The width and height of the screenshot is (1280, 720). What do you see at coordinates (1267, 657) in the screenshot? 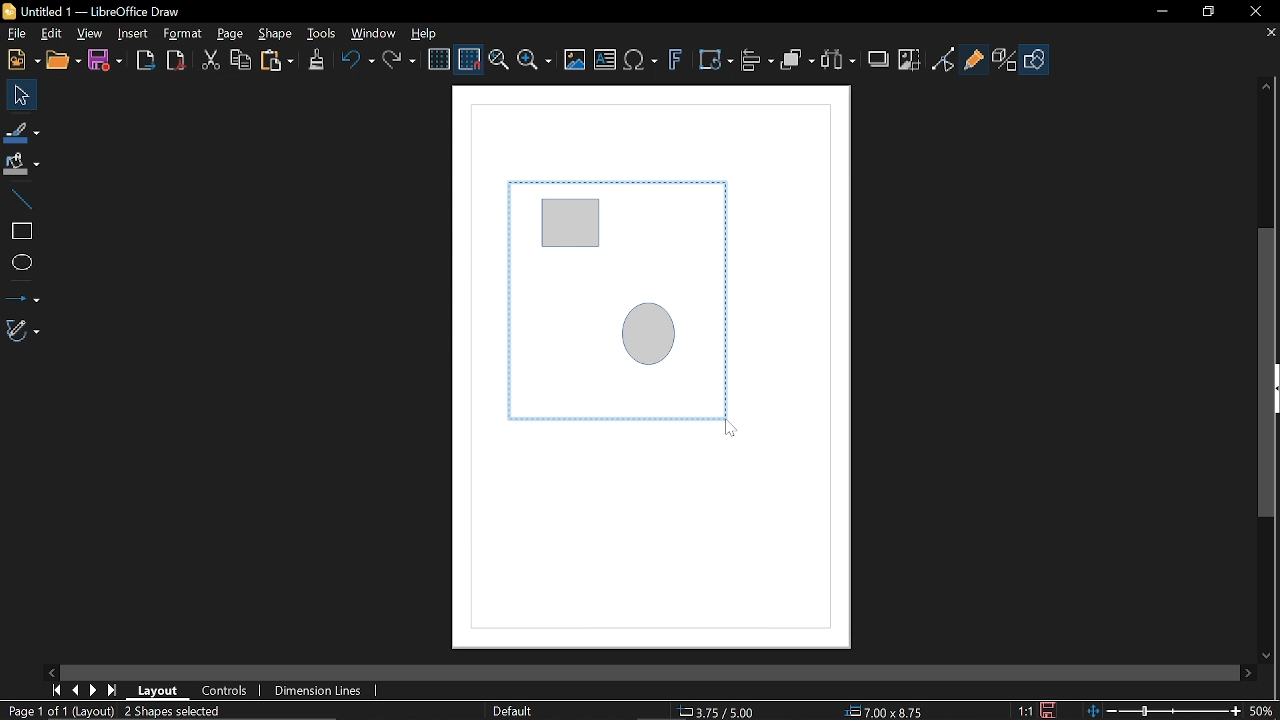
I see `Move down` at bounding box center [1267, 657].